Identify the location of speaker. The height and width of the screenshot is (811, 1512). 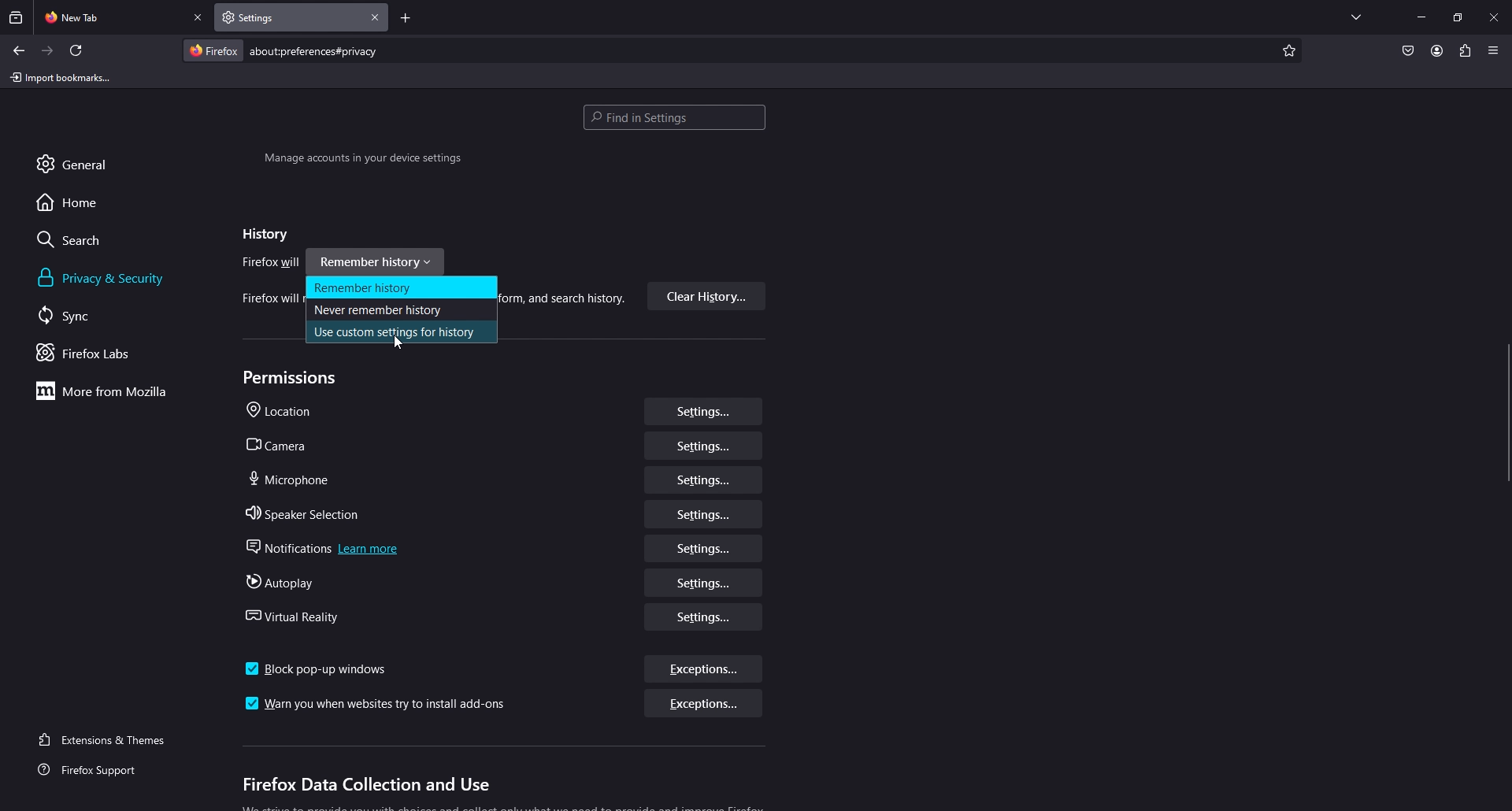
(307, 514).